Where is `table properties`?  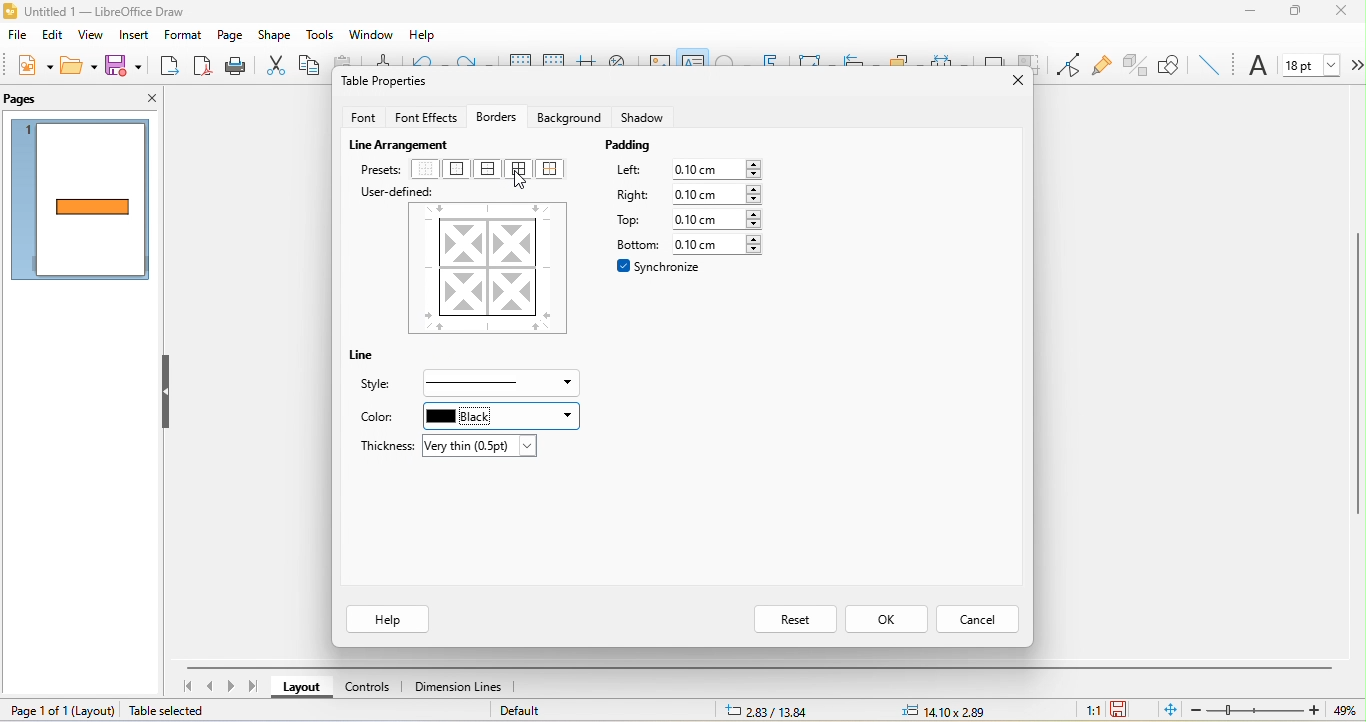
table properties is located at coordinates (388, 84).